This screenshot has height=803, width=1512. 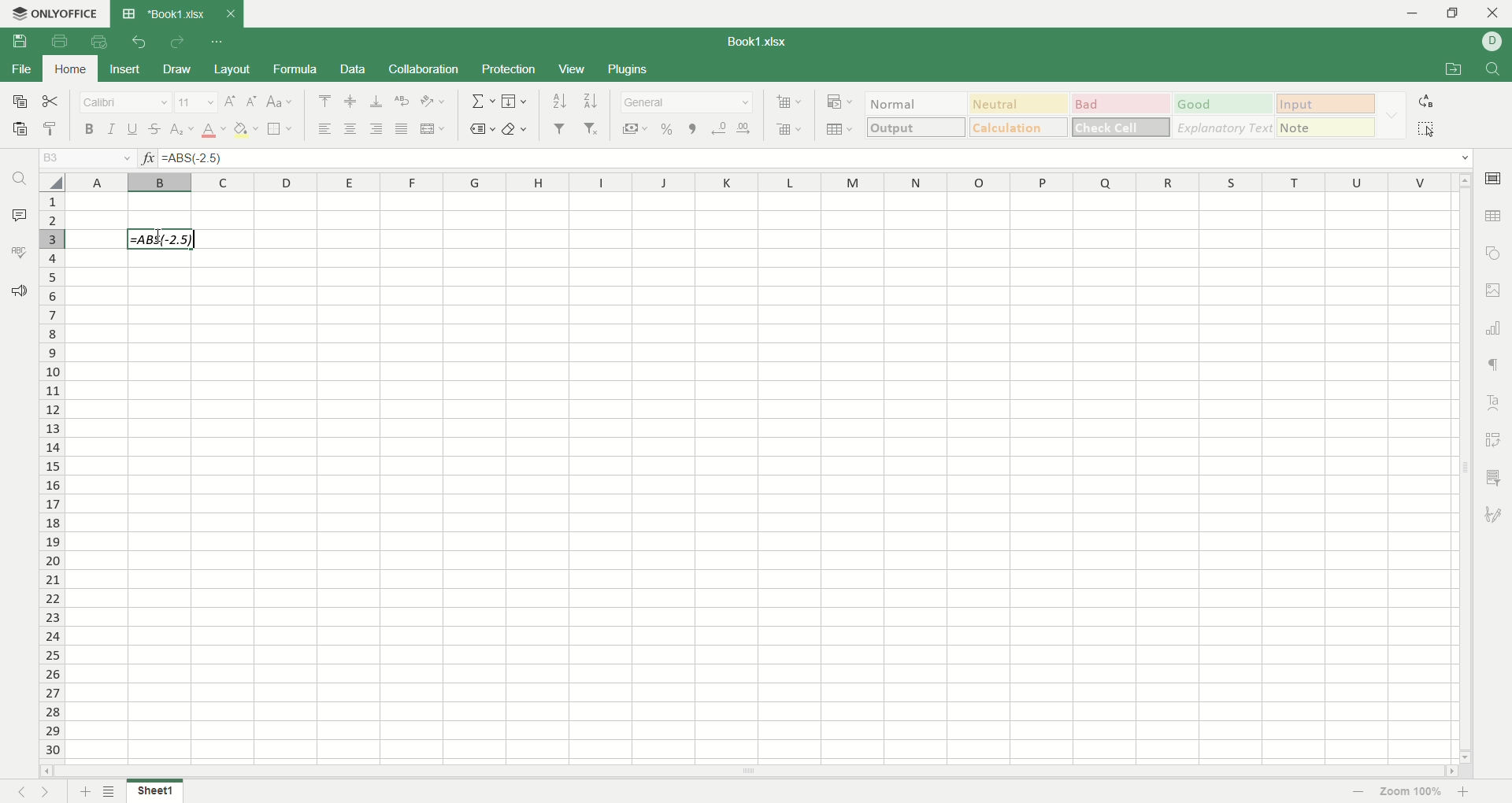 What do you see at coordinates (788, 130) in the screenshot?
I see `delete cell` at bounding box center [788, 130].